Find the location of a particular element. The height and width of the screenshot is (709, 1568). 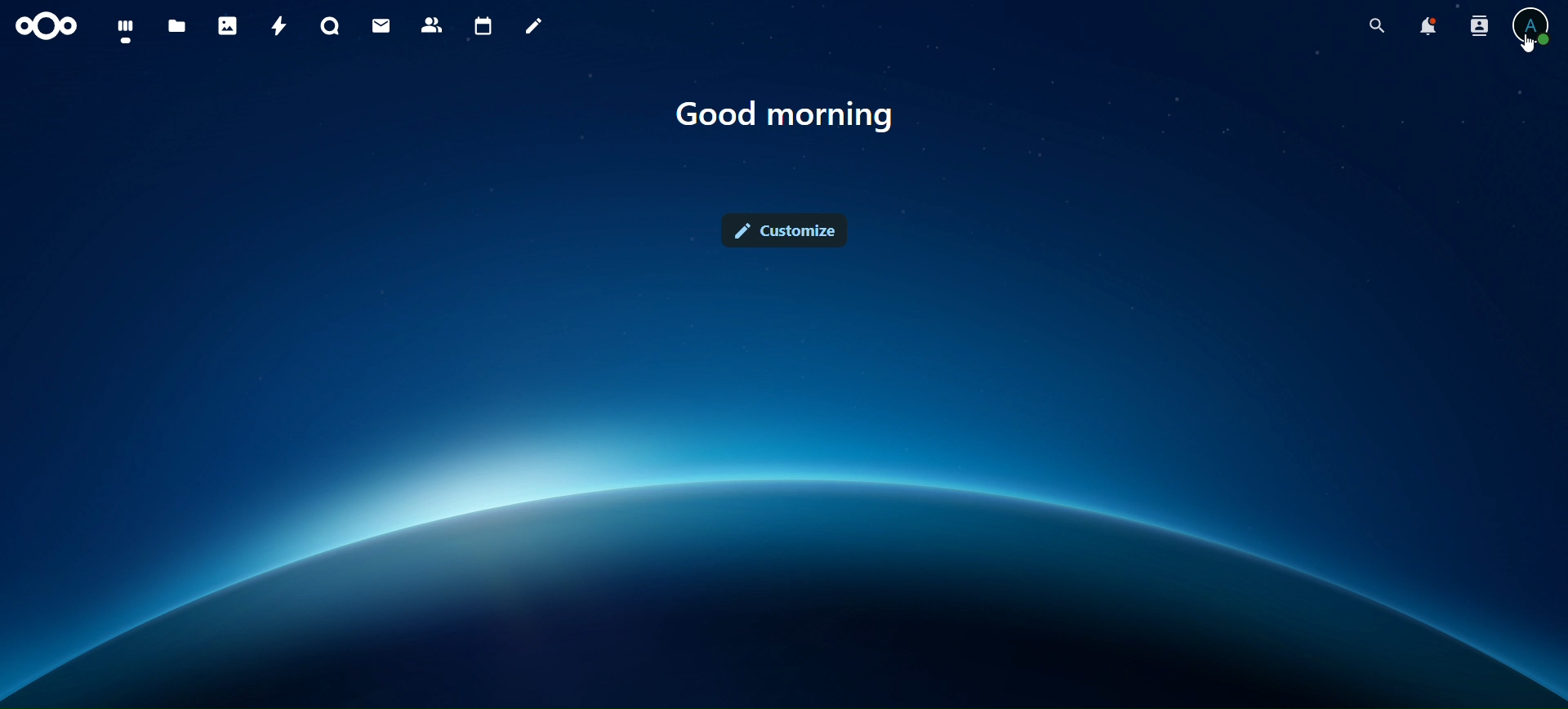

activity is located at coordinates (279, 23).